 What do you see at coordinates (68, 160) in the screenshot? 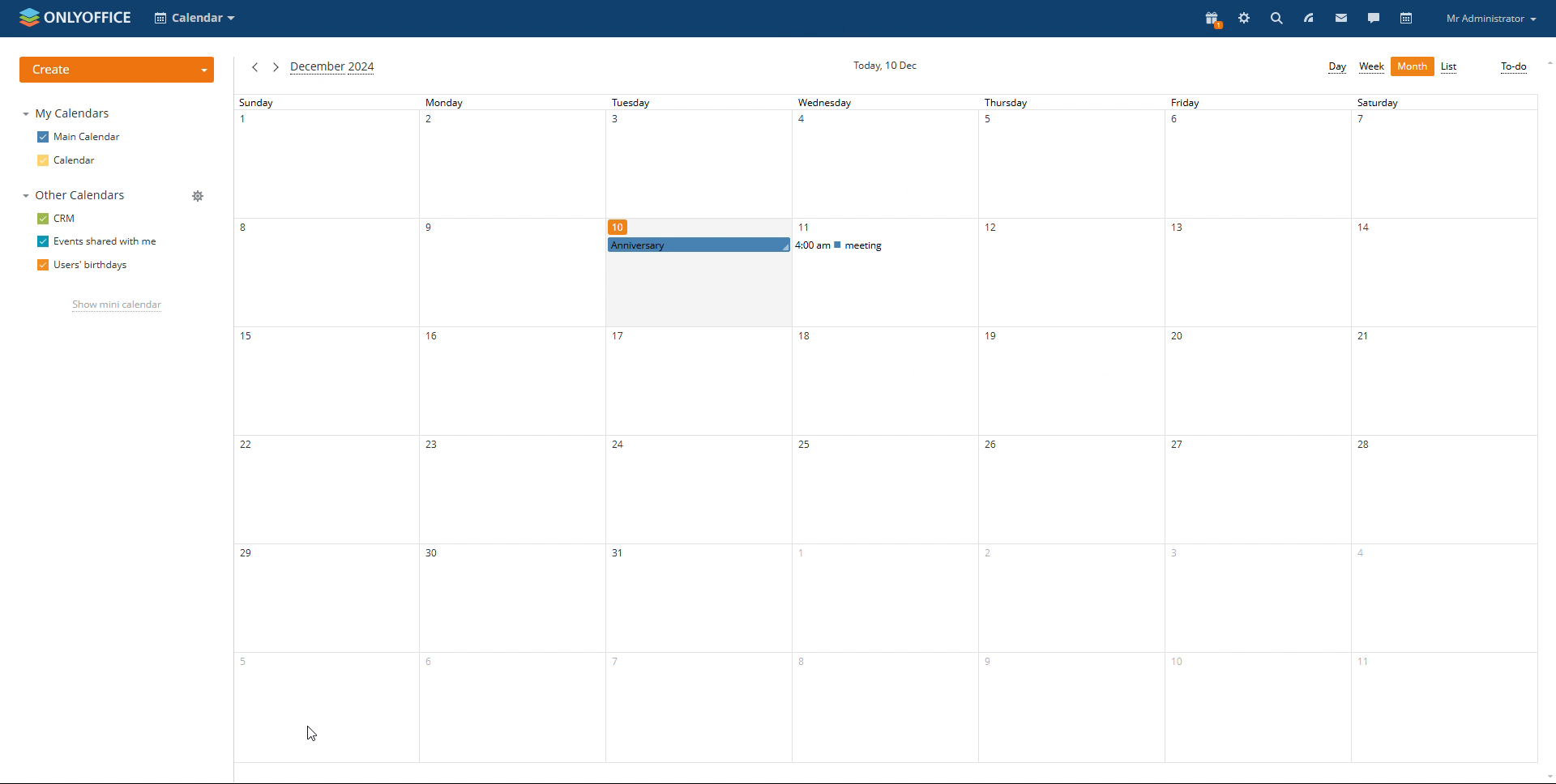
I see `calendar` at bounding box center [68, 160].